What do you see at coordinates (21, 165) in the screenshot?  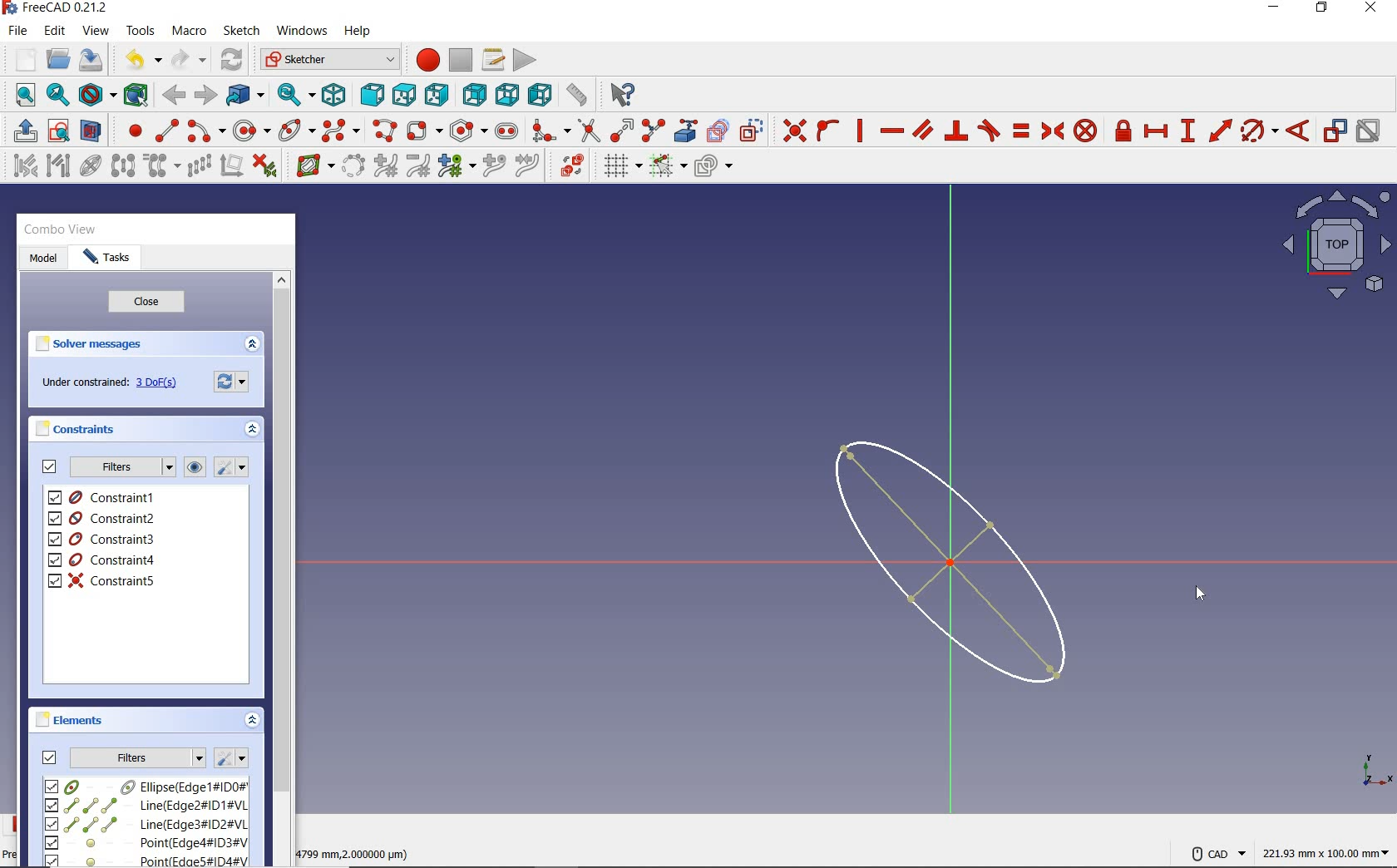 I see `select associated constraint` at bounding box center [21, 165].